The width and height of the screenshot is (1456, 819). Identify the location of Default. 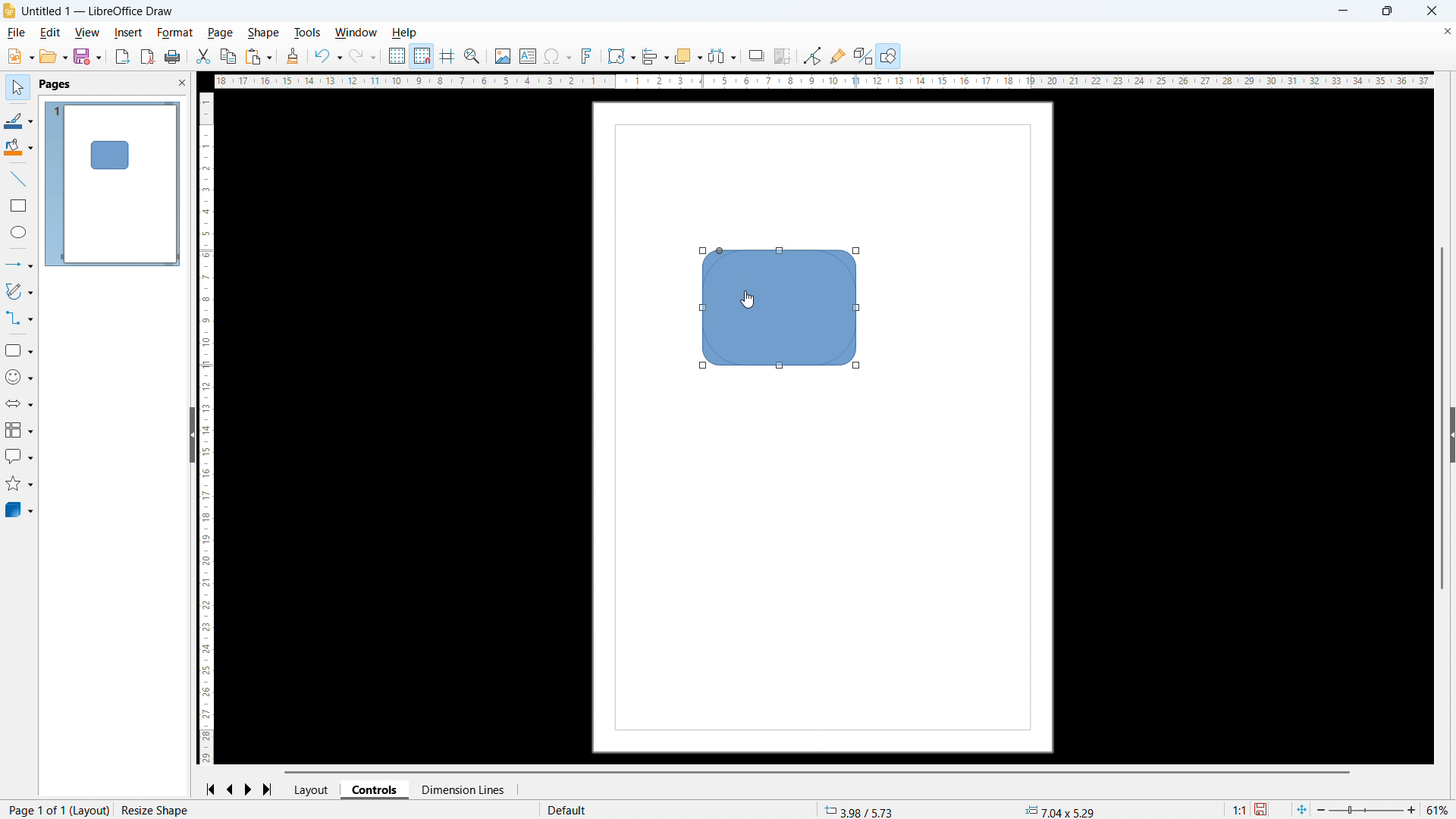
(570, 810).